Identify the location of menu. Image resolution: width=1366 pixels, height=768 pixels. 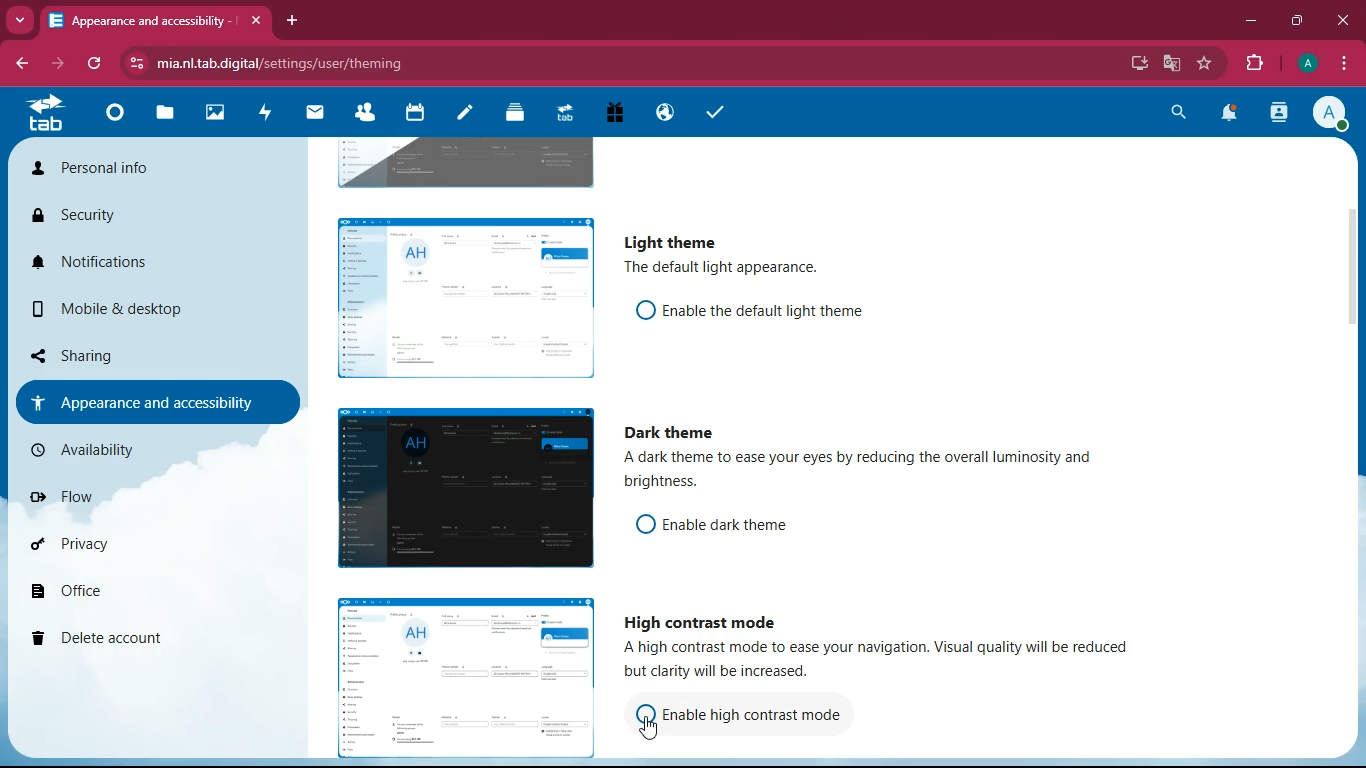
(1343, 65).